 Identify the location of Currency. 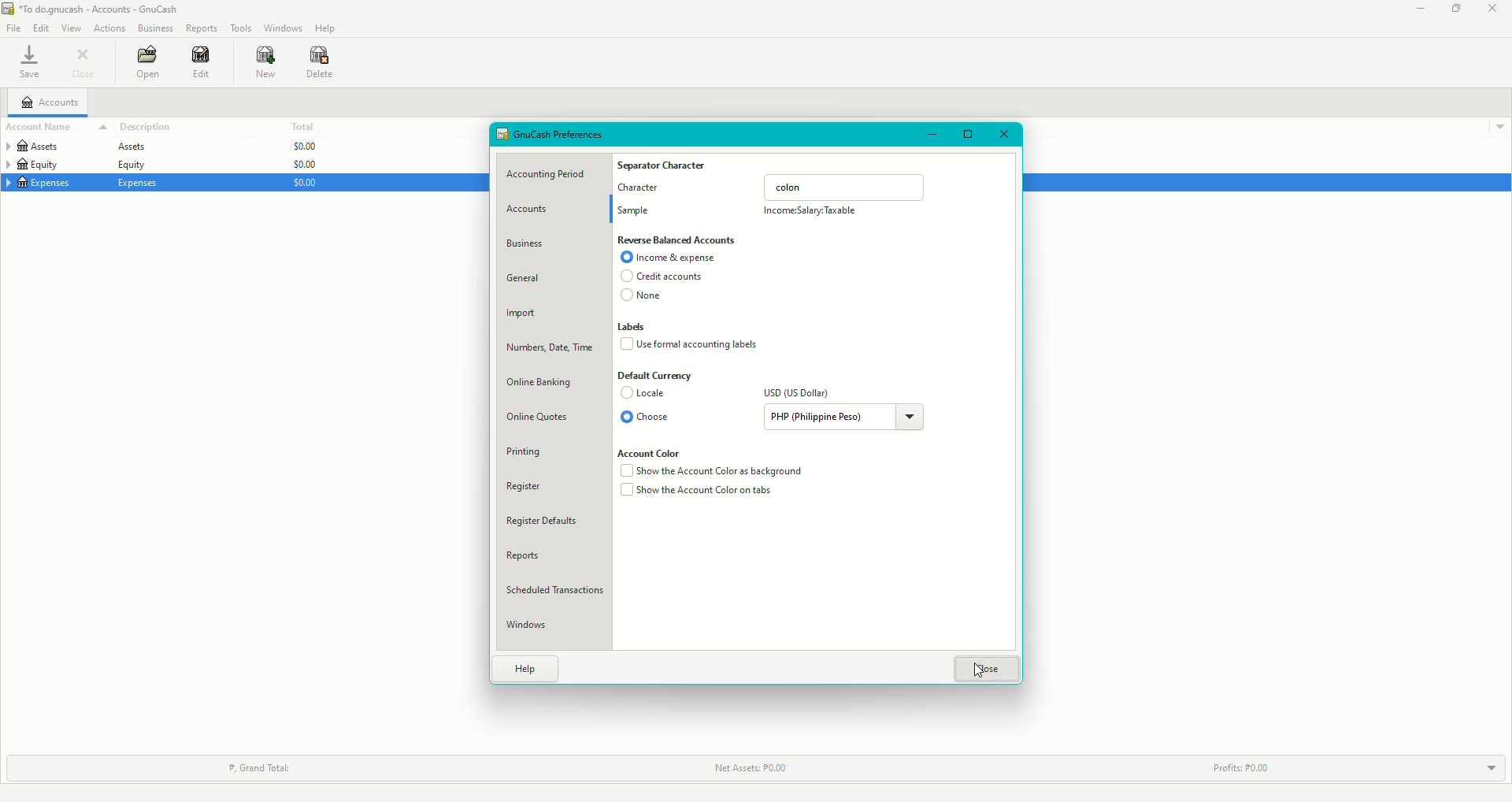
(847, 417).